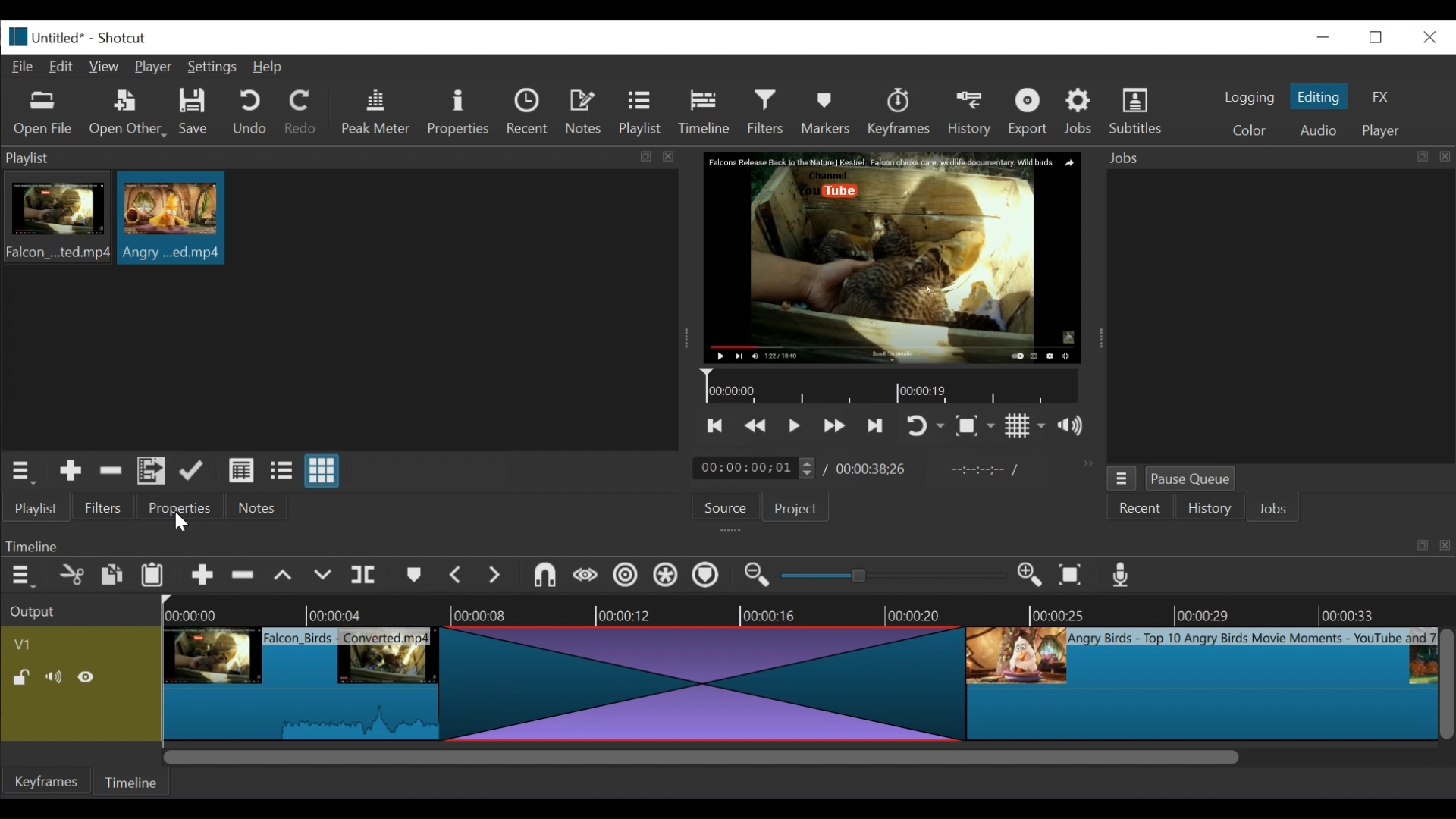 The width and height of the screenshot is (1456, 819). What do you see at coordinates (1077, 427) in the screenshot?
I see `show volume control` at bounding box center [1077, 427].